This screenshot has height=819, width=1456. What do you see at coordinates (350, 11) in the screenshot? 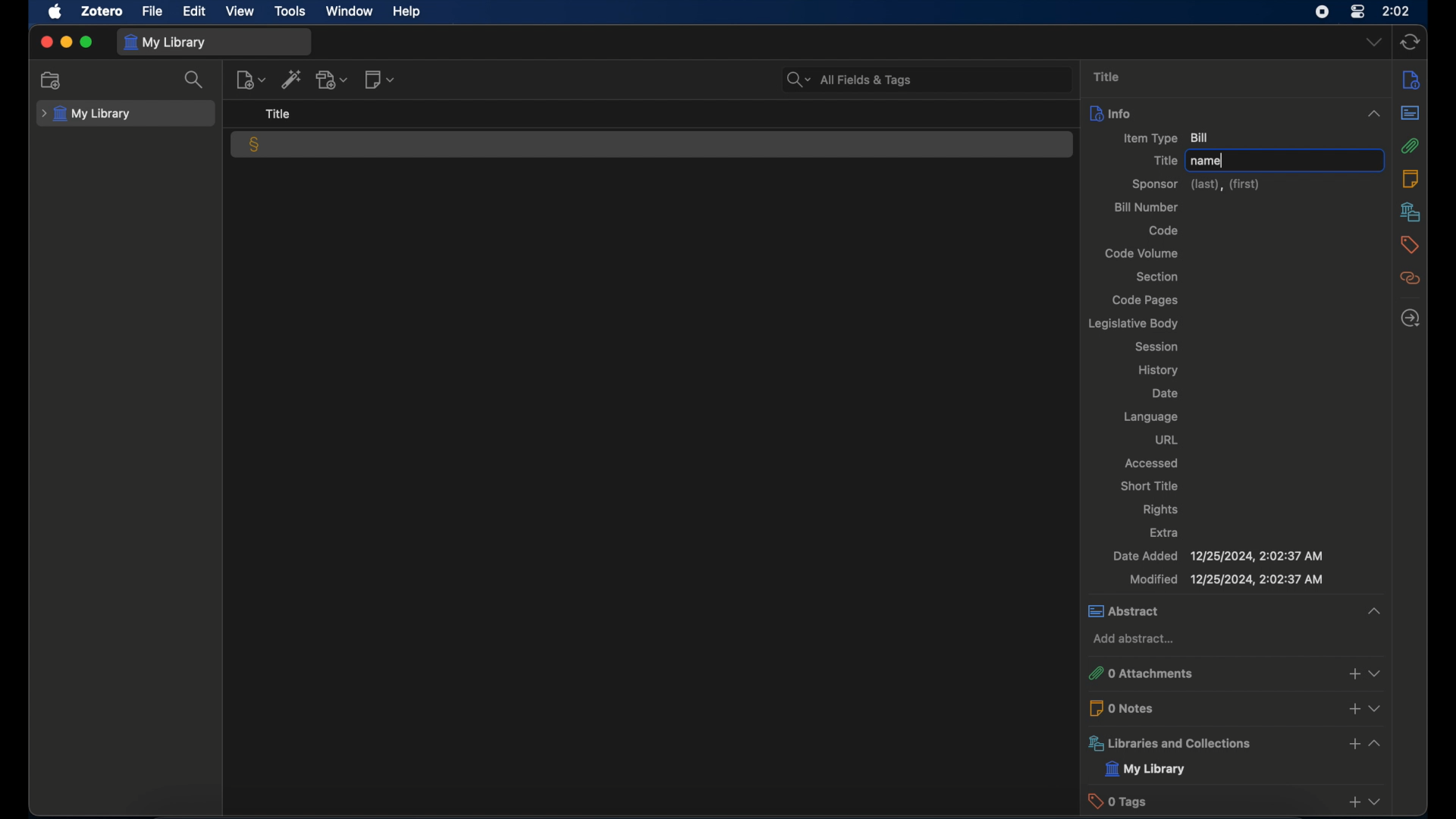
I see `window` at bounding box center [350, 11].